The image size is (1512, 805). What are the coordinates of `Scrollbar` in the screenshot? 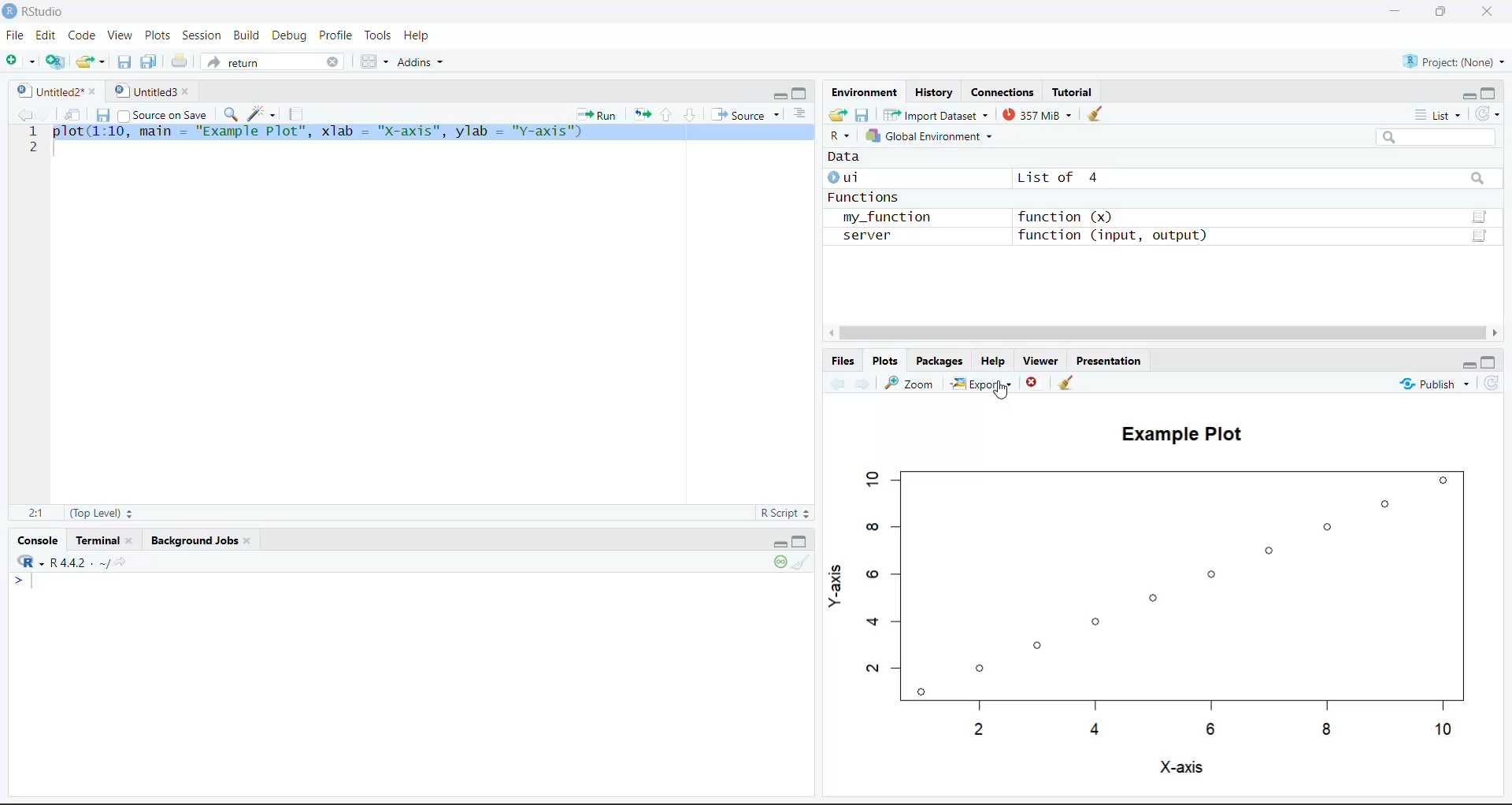 It's located at (1160, 332).